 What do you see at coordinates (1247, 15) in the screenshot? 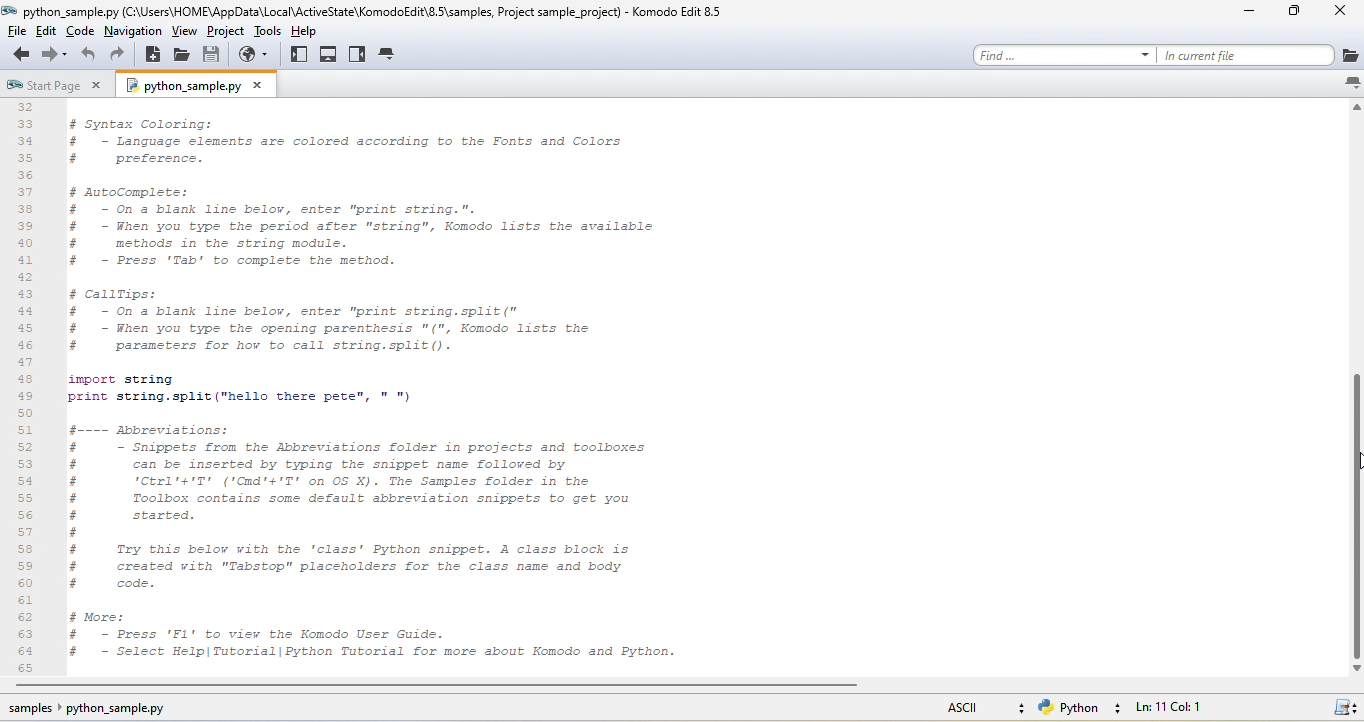
I see `minimize` at bounding box center [1247, 15].